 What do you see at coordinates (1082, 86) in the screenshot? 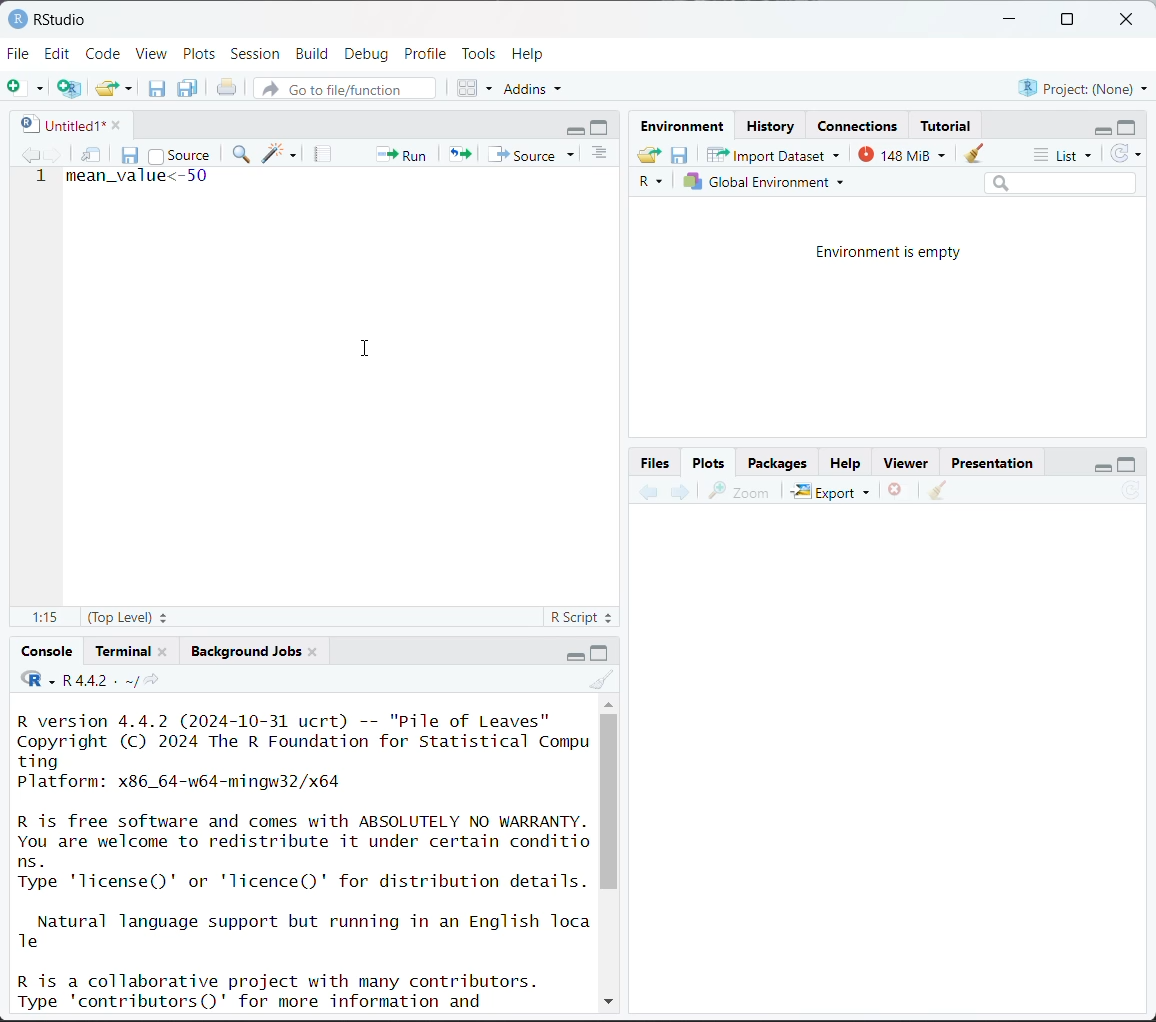
I see `Project:(None)` at bounding box center [1082, 86].